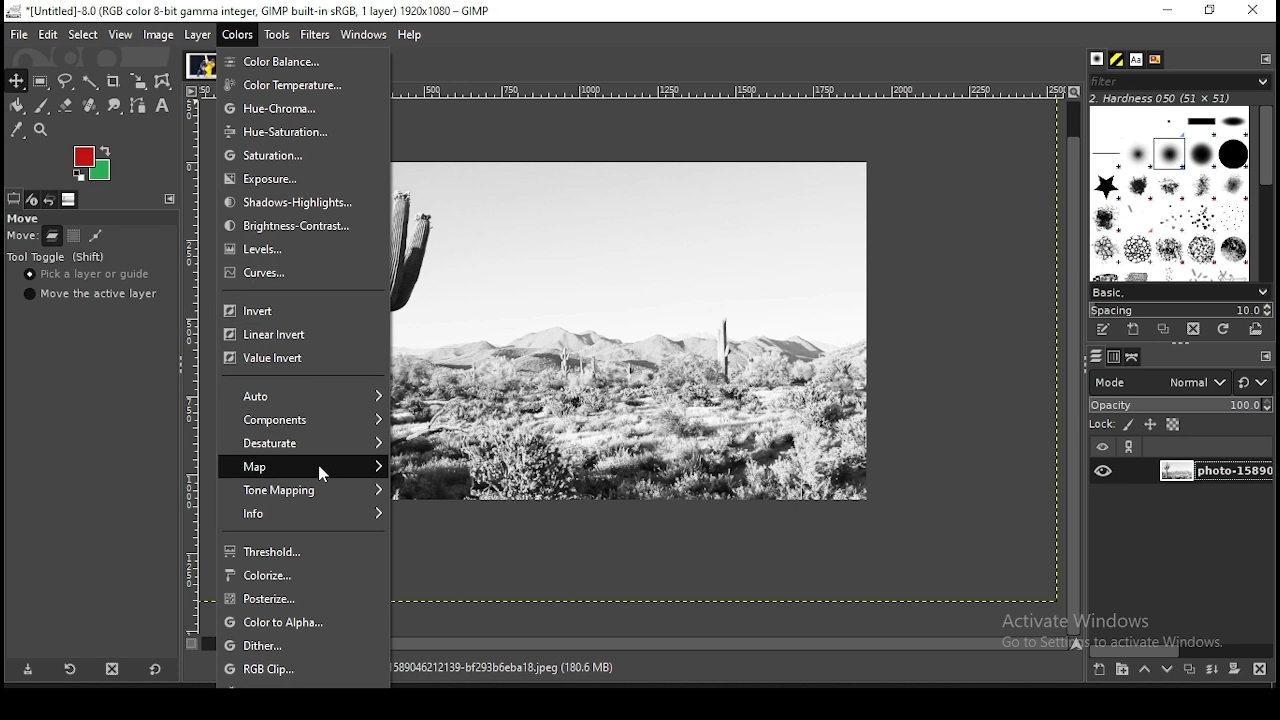 Image resolution: width=1280 pixels, height=720 pixels. Describe the element at coordinates (295, 202) in the screenshot. I see `shadows highlights` at that location.